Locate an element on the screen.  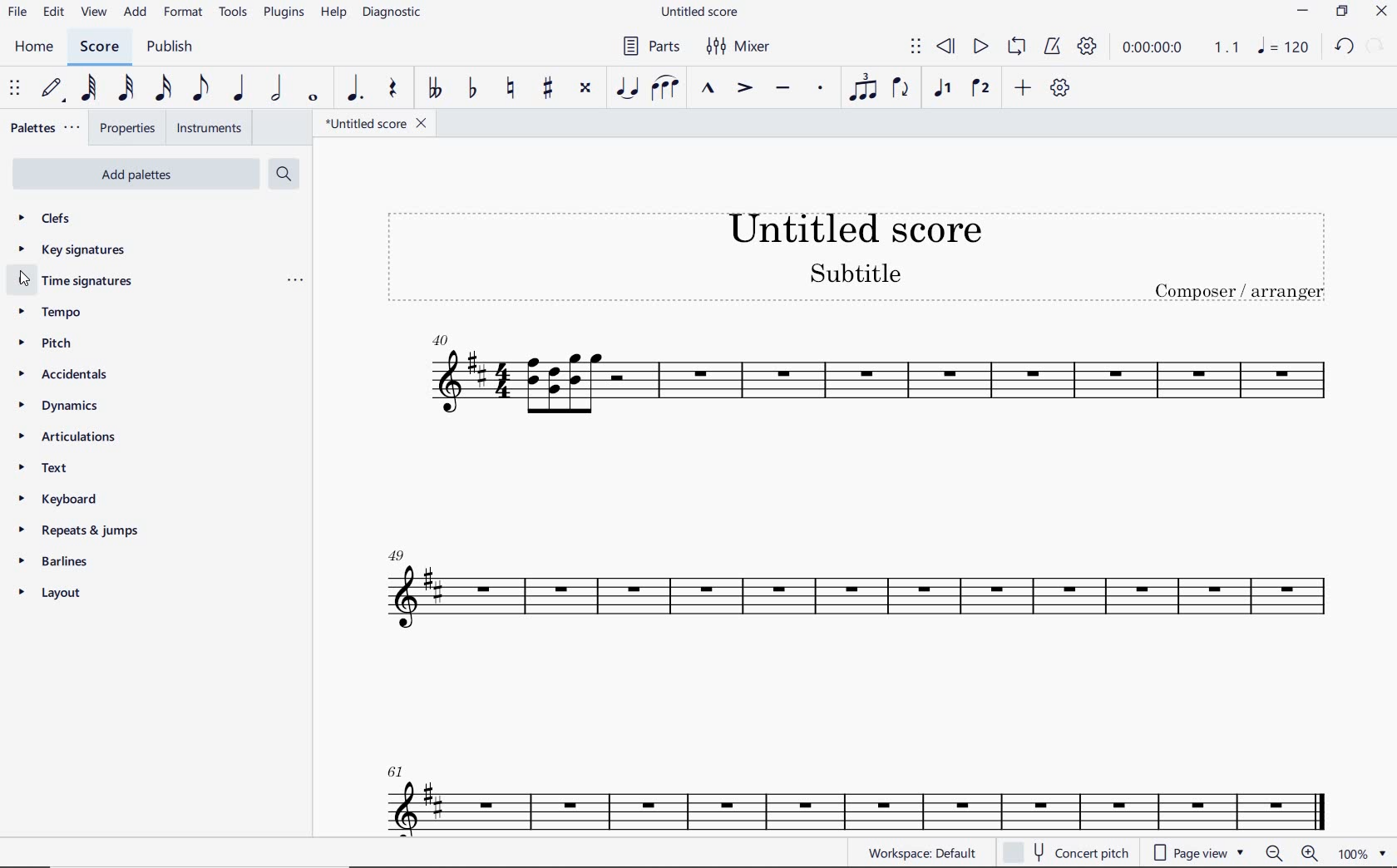
NOTE is located at coordinates (1282, 46).